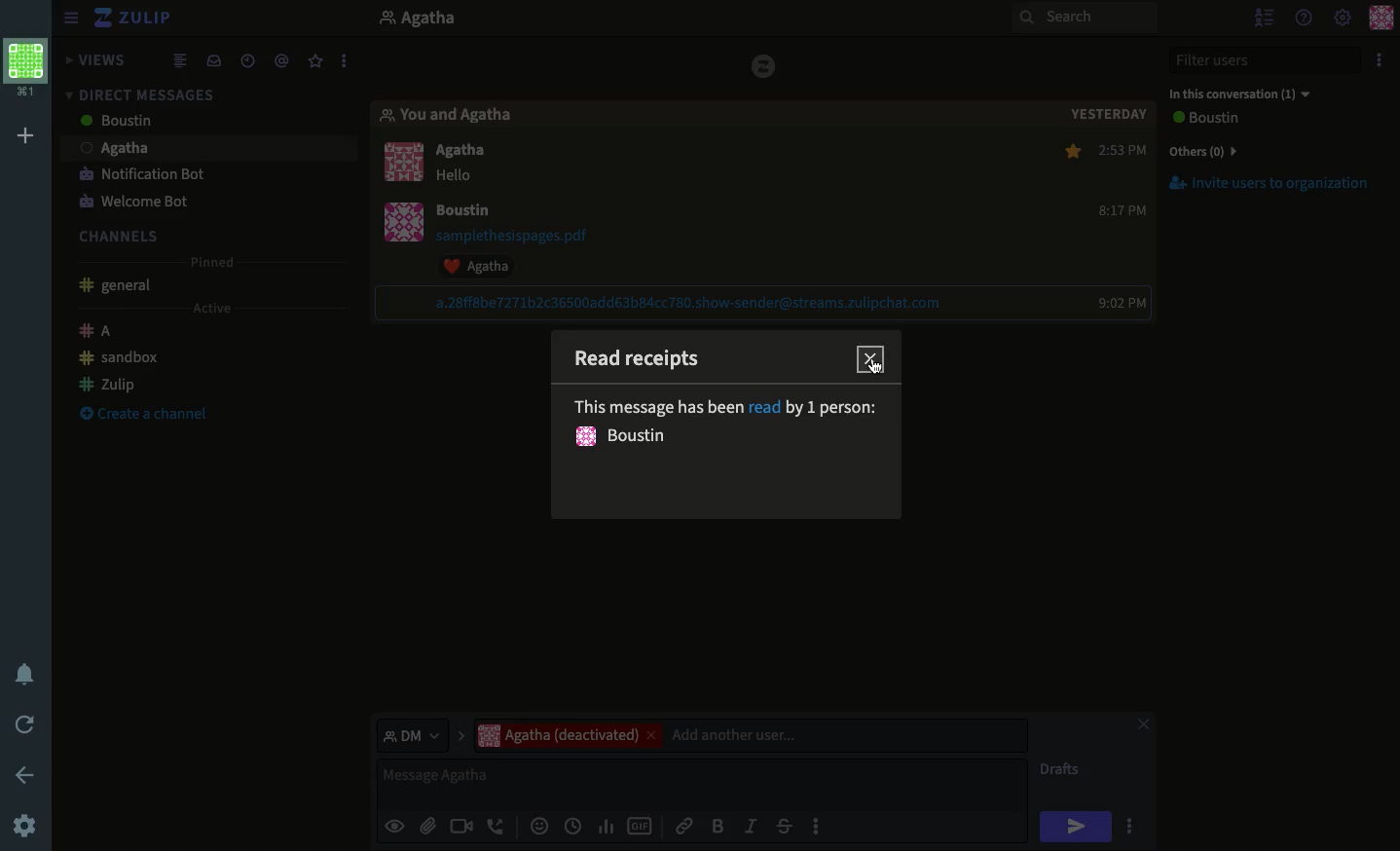  What do you see at coordinates (765, 66) in the screenshot?
I see `logo` at bounding box center [765, 66].